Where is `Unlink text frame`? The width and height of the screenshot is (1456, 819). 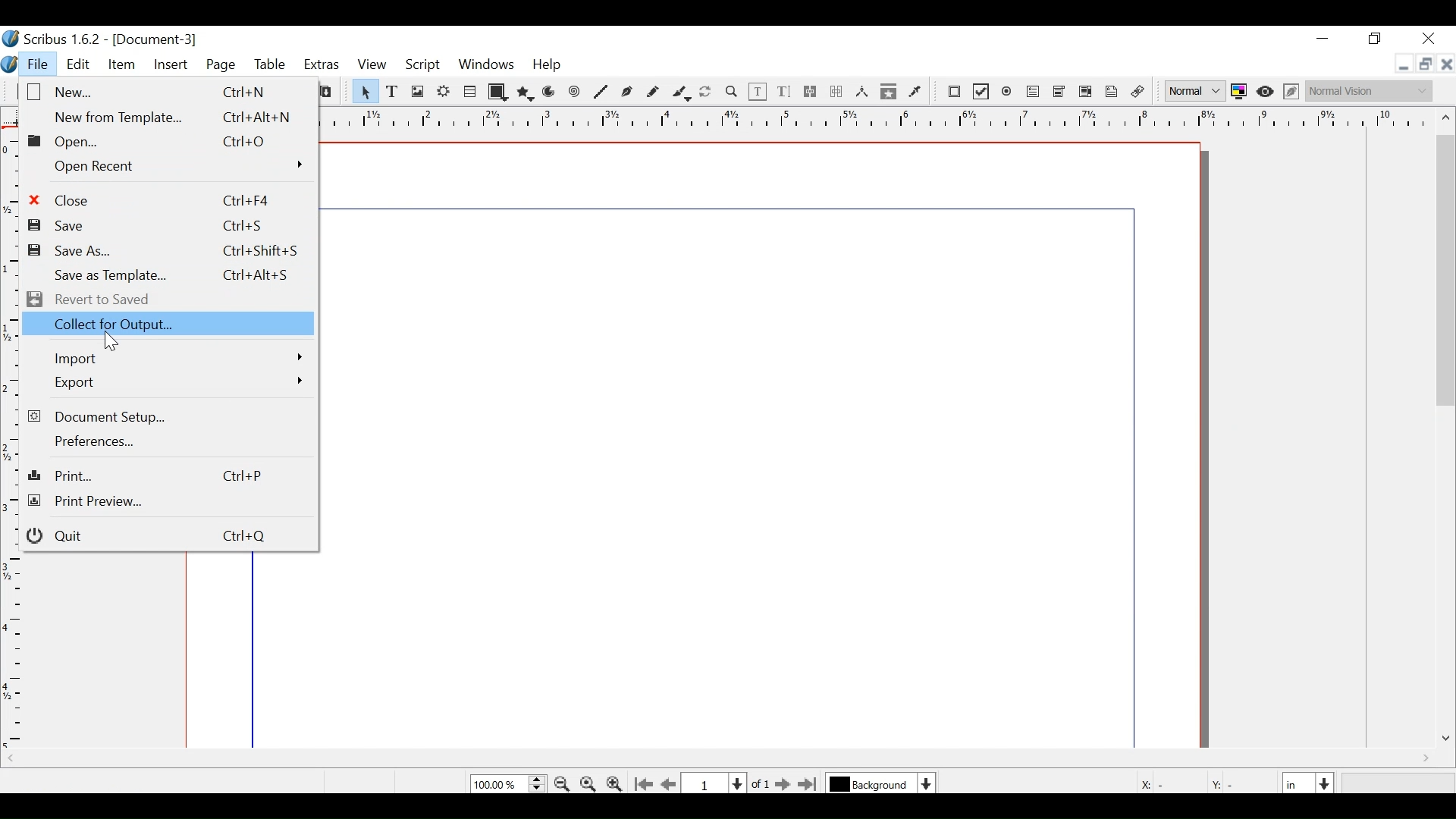 Unlink text frame is located at coordinates (836, 92).